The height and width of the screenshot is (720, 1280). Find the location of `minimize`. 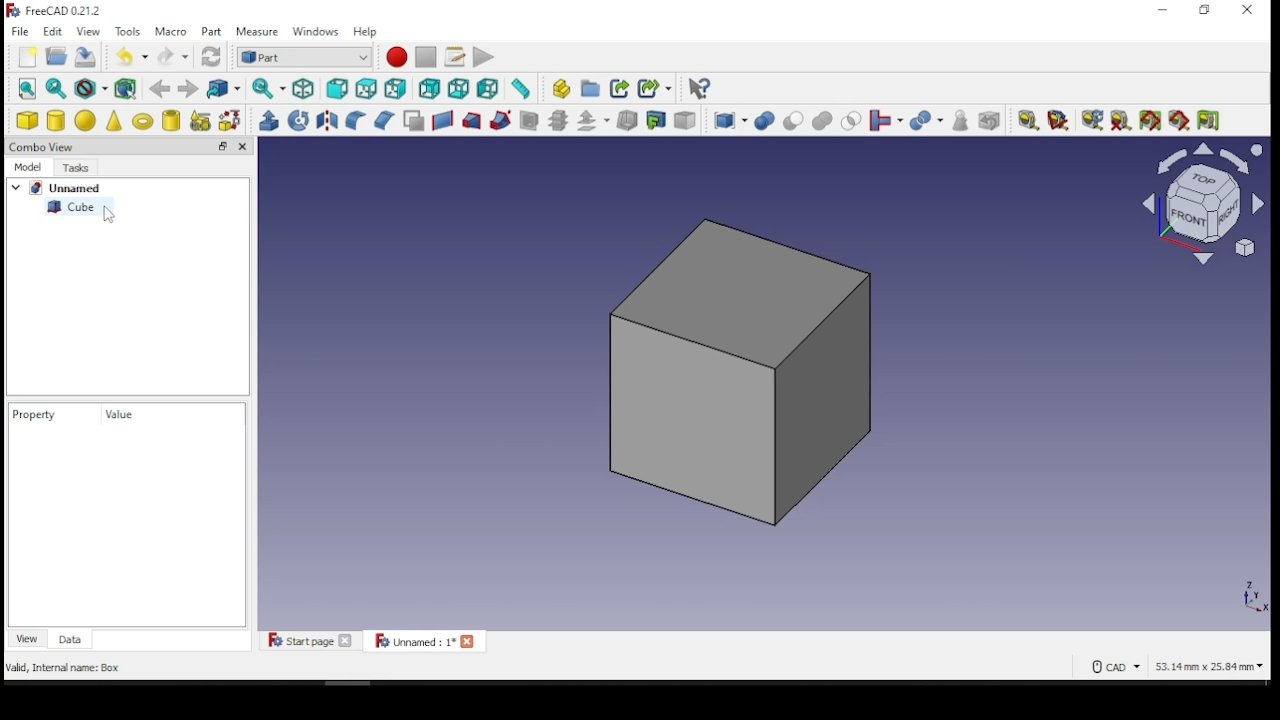

minimize is located at coordinates (1165, 10).